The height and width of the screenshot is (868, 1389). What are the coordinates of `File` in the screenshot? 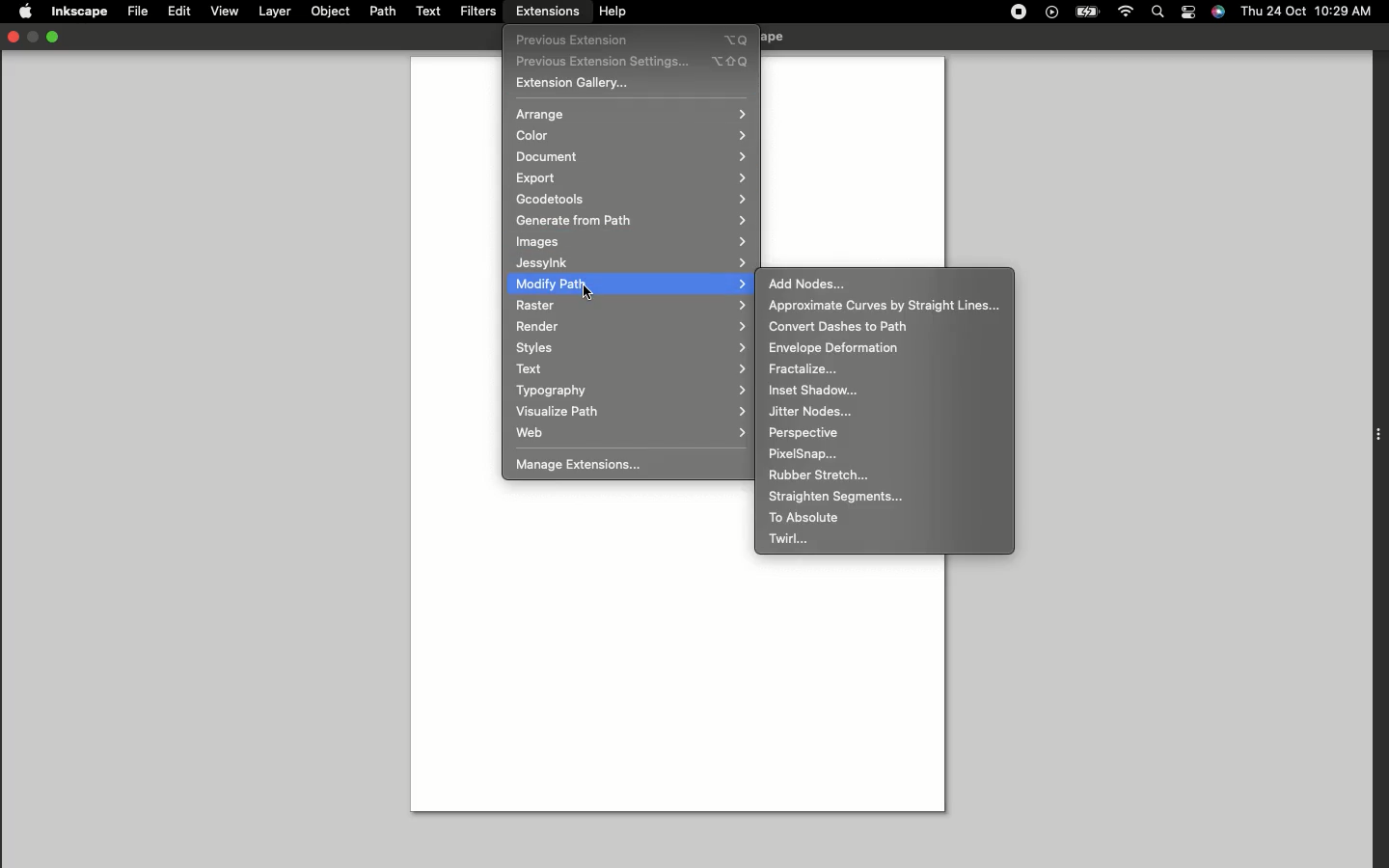 It's located at (140, 12).